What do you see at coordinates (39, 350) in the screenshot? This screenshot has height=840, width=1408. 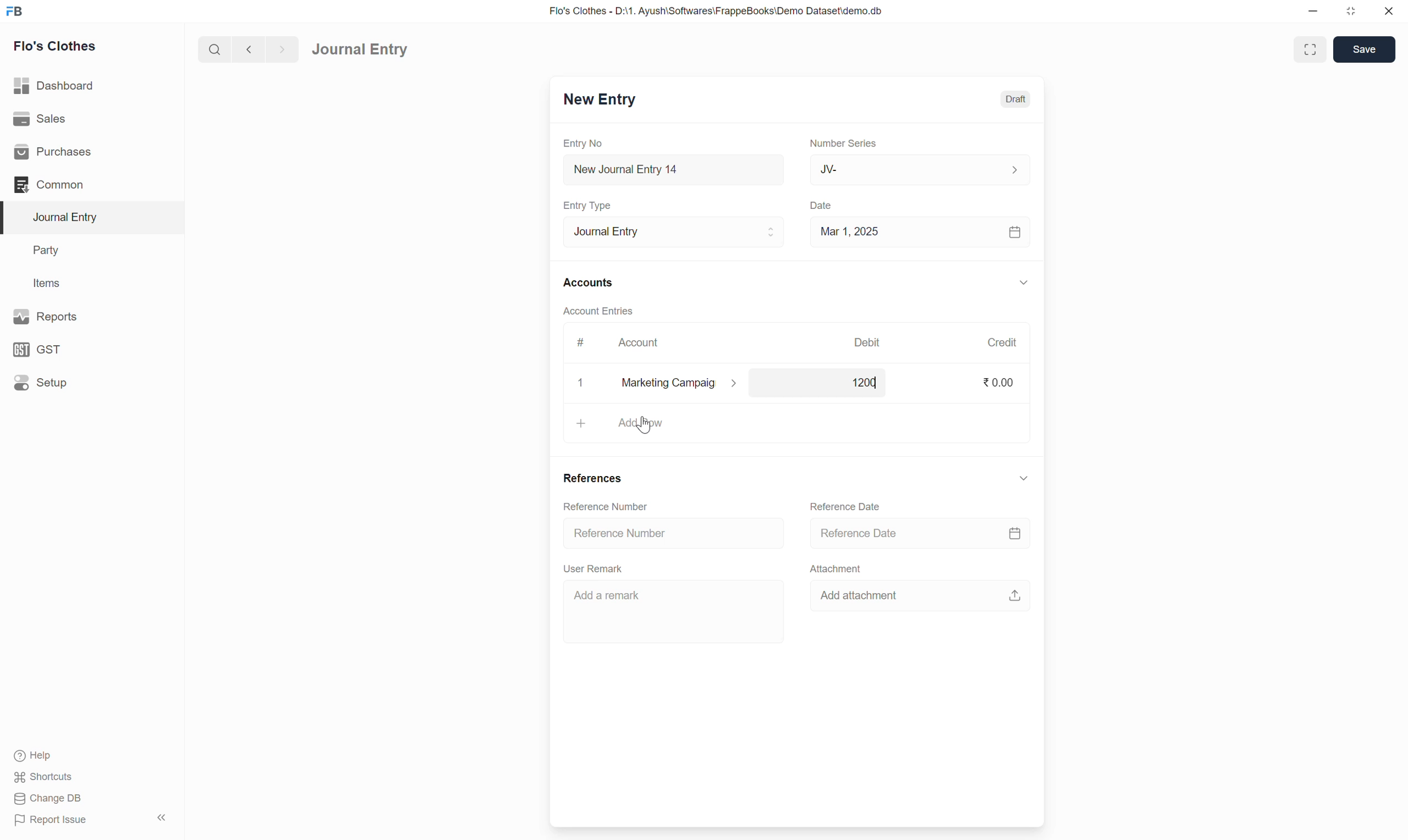 I see `GST` at bounding box center [39, 350].